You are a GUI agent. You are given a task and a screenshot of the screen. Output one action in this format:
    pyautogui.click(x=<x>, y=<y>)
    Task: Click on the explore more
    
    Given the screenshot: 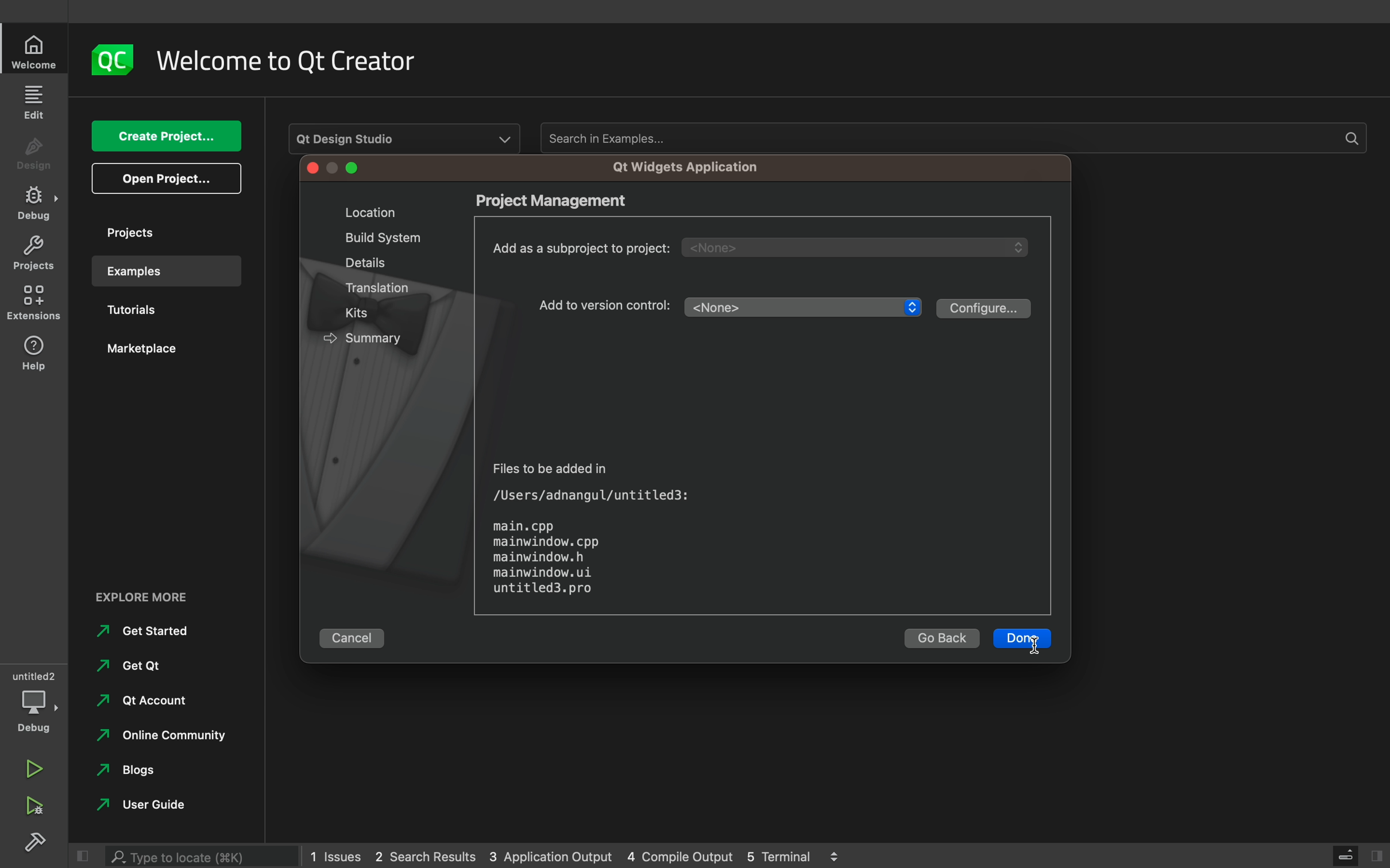 What is the action you would take?
    pyautogui.click(x=150, y=595)
    